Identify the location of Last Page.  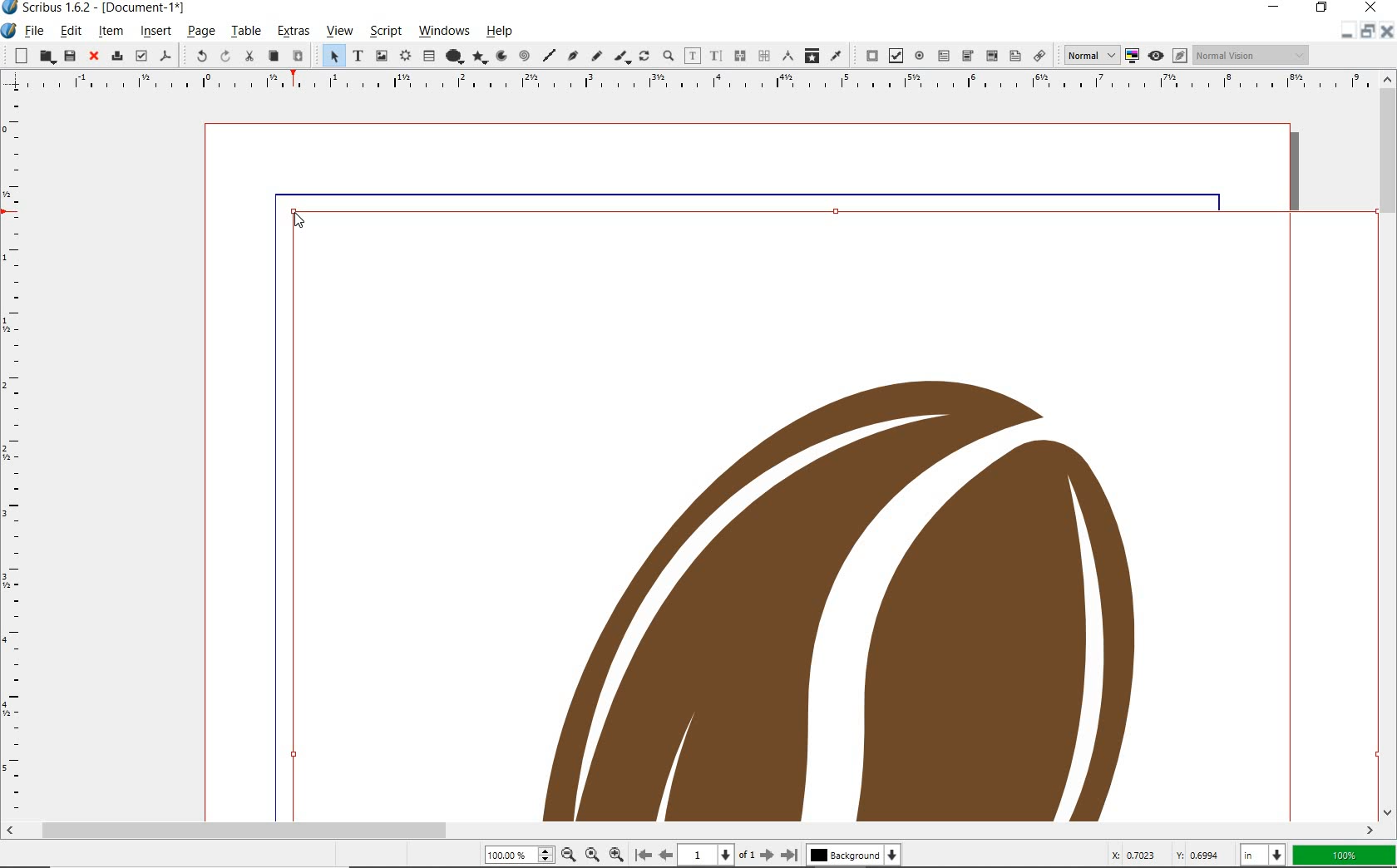
(790, 855).